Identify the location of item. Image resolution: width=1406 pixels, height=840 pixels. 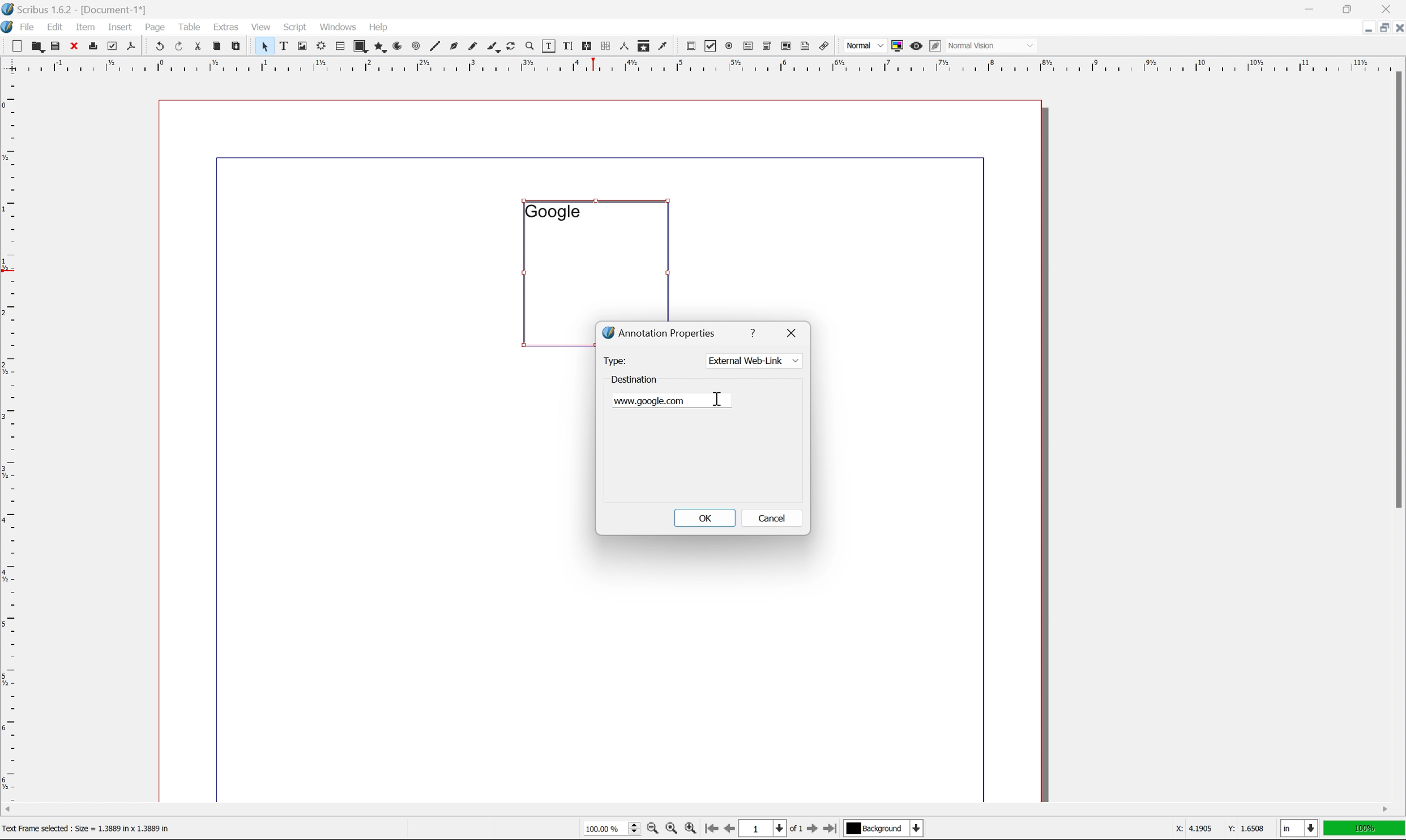
(88, 25).